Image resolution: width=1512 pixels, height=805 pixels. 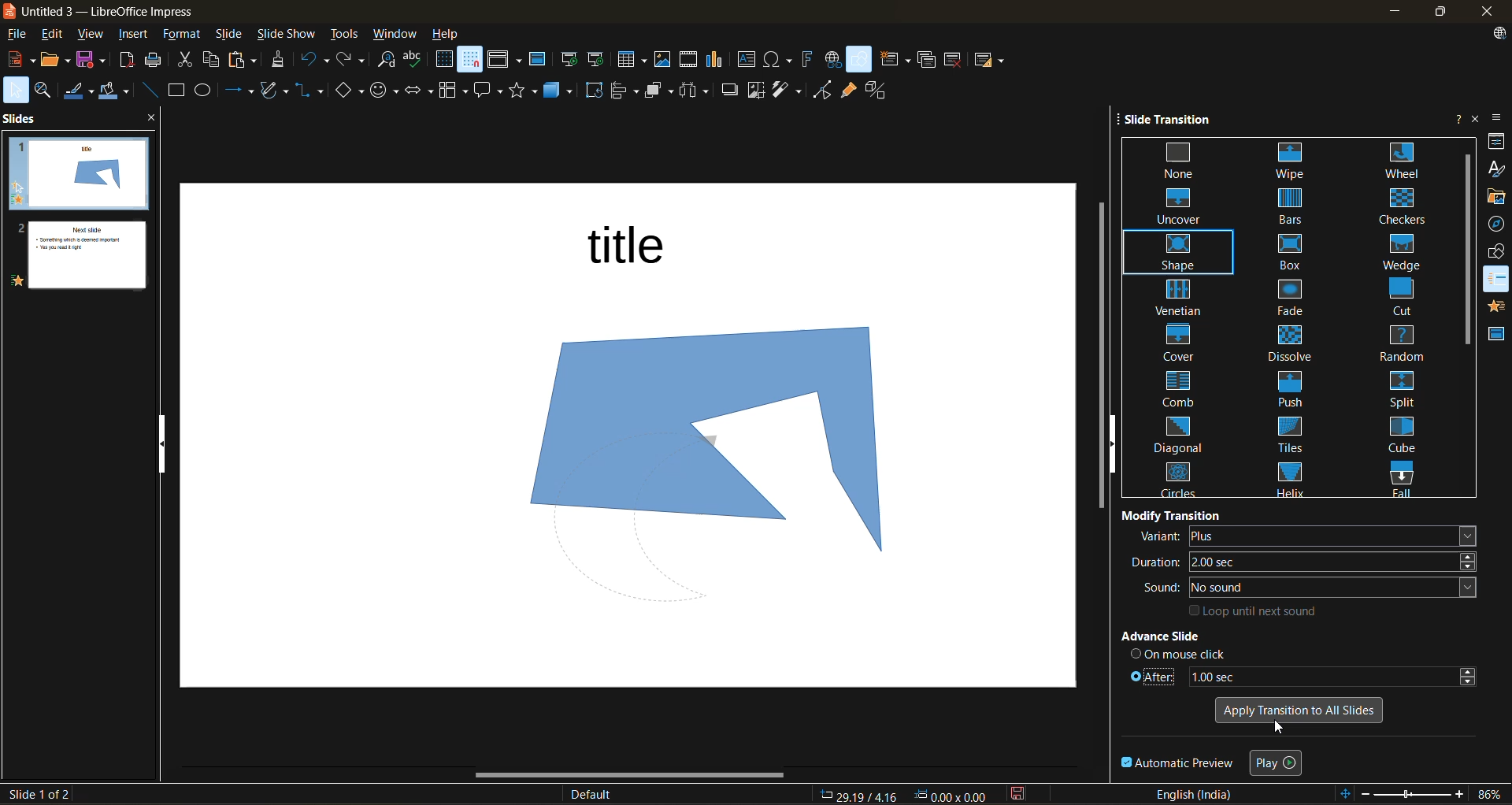 What do you see at coordinates (691, 63) in the screenshot?
I see `insert audio or video` at bounding box center [691, 63].